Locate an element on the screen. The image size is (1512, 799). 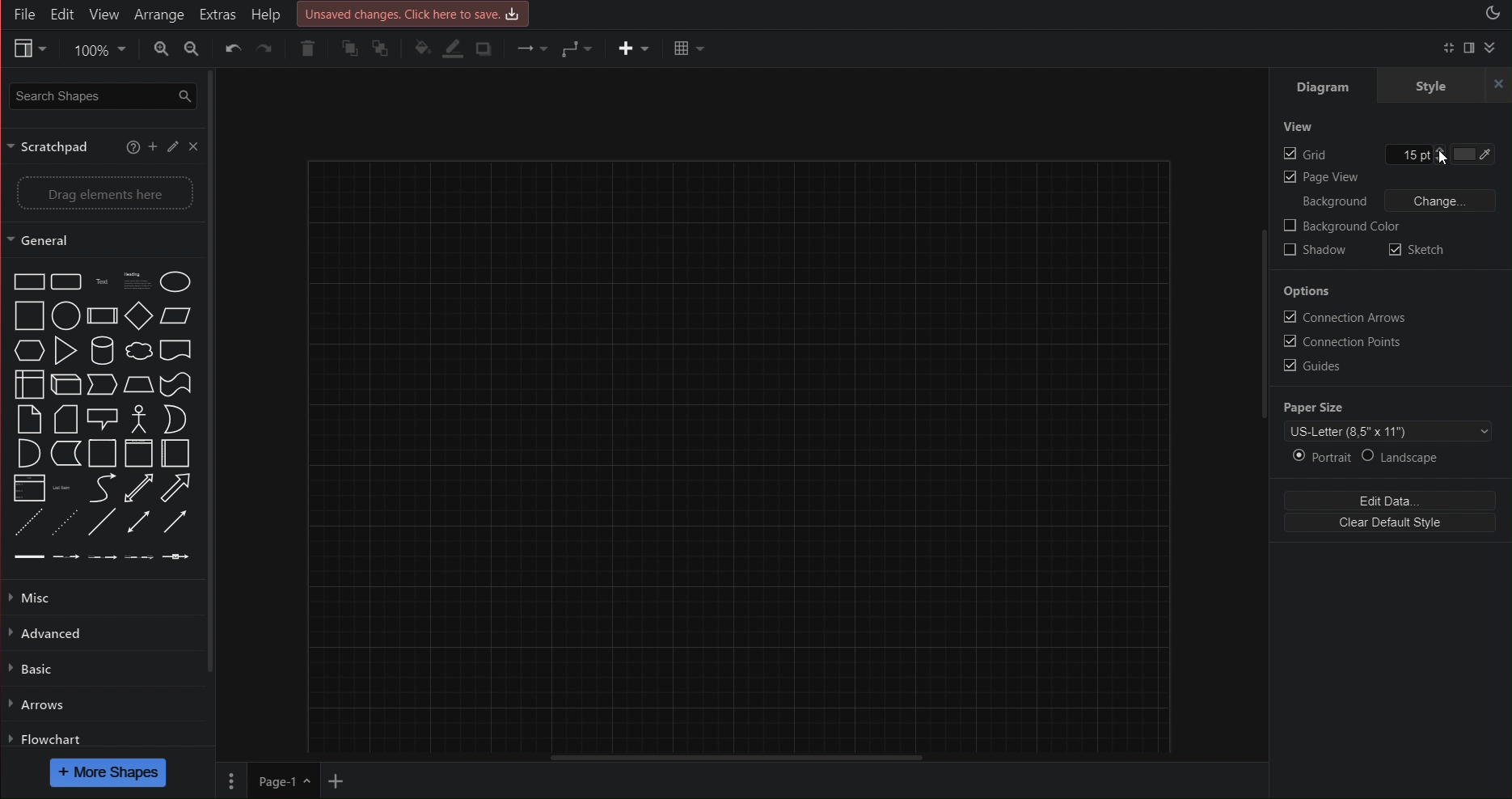
Change is located at coordinates (1442, 201).